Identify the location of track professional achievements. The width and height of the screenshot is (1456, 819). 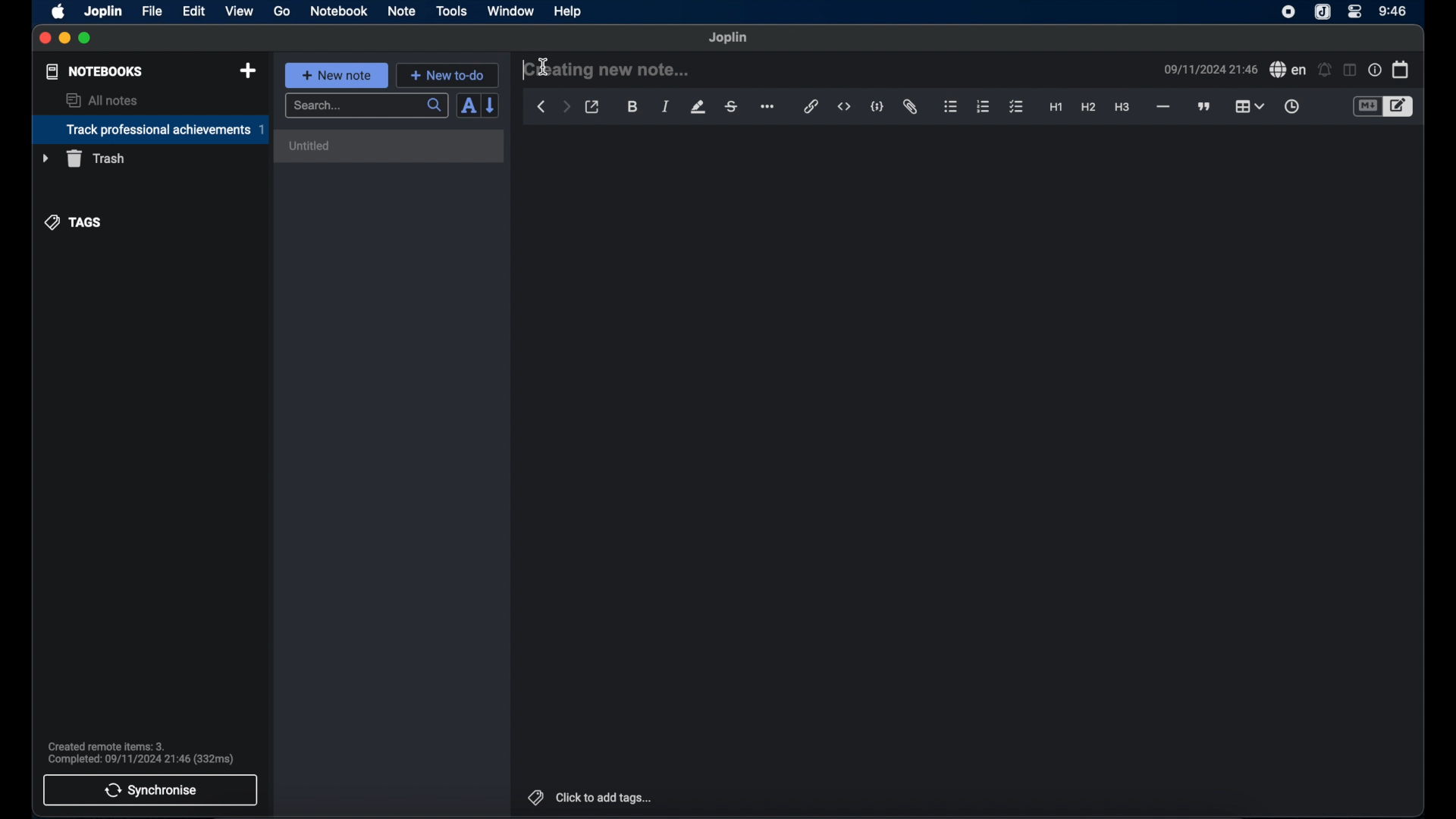
(149, 130).